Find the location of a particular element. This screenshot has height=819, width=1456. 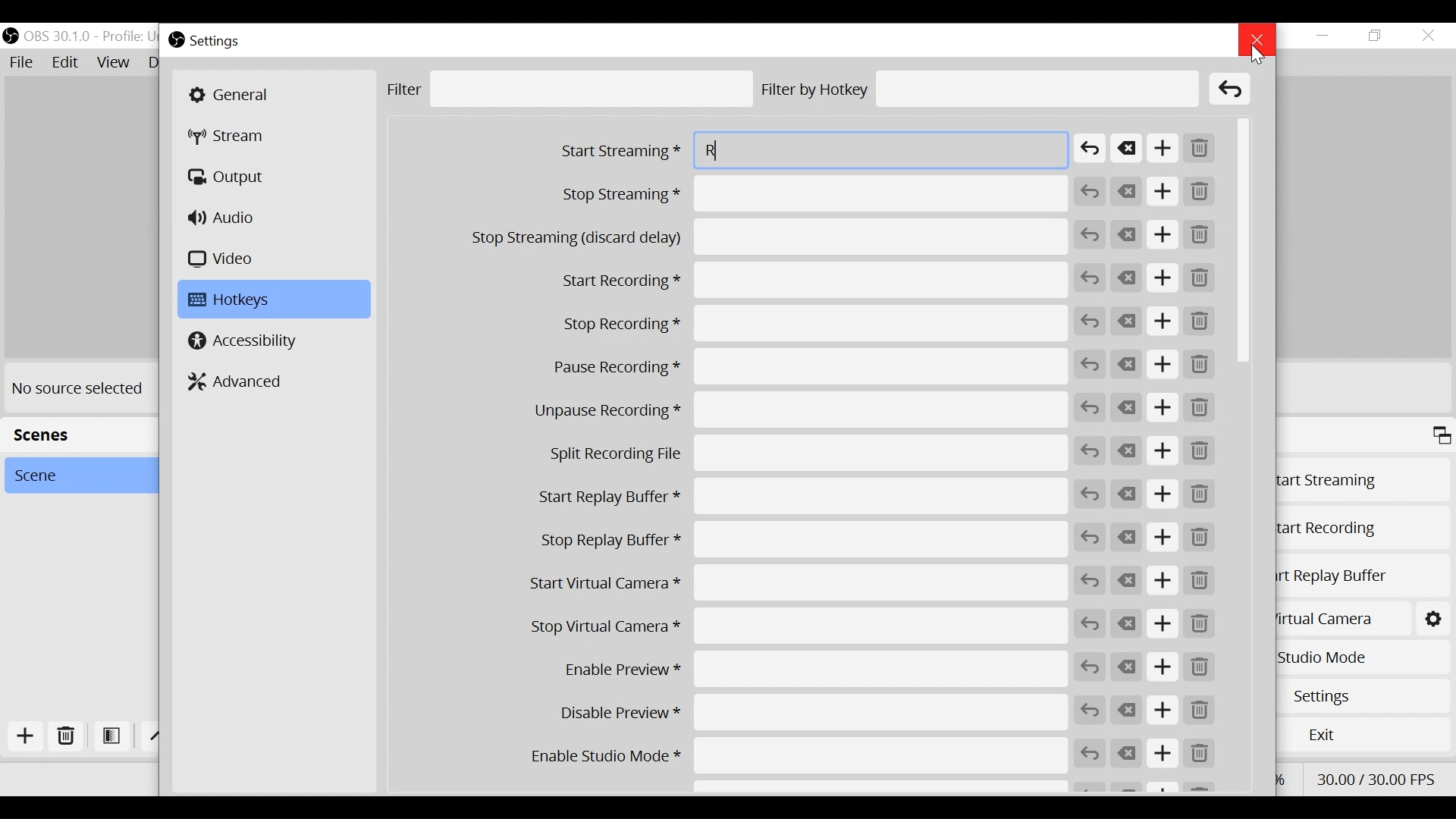

Revert is located at coordinates (1090, 753).